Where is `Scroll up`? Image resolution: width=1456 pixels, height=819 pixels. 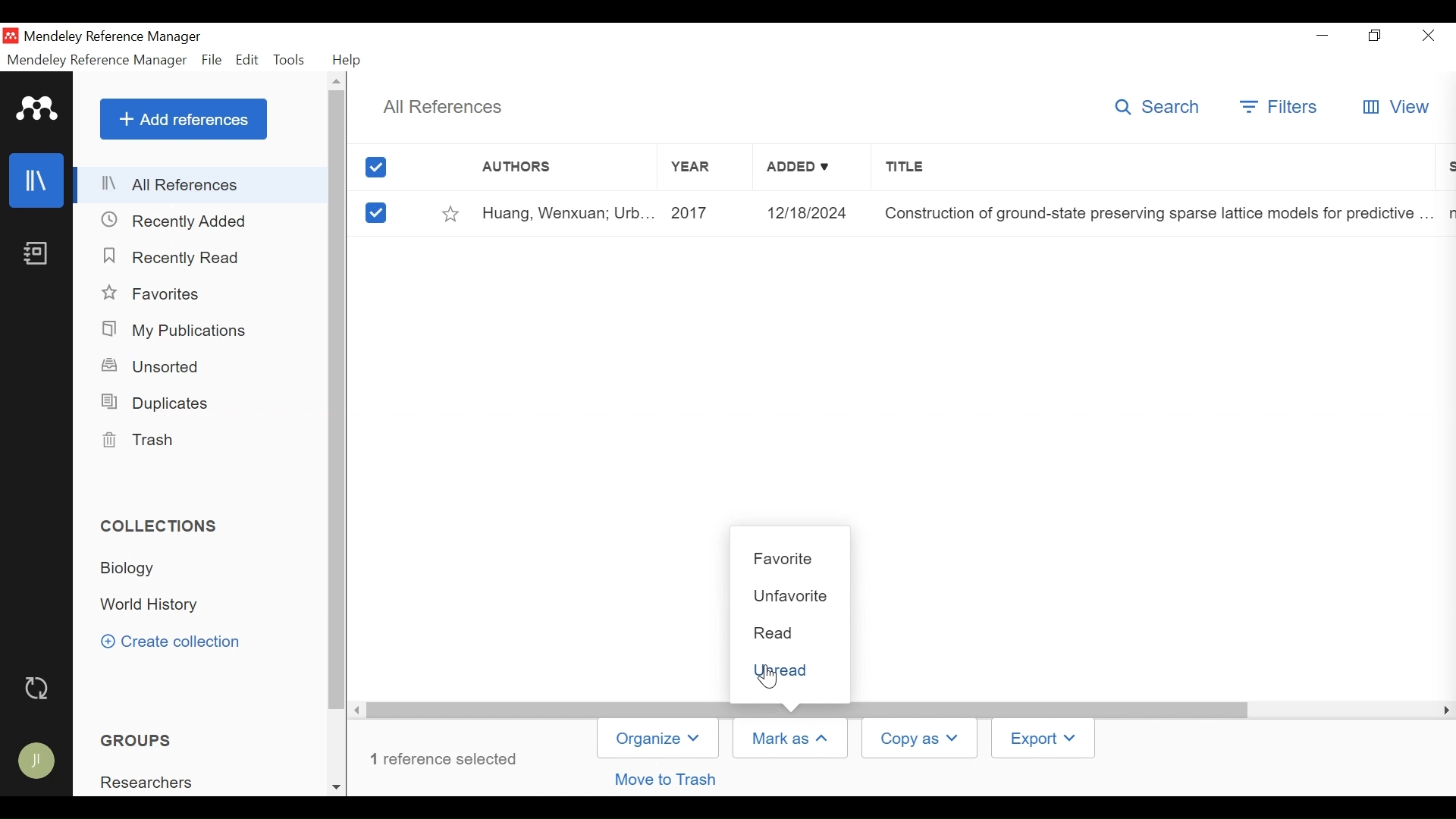
Scroll up is located at coordinates (336, 80).